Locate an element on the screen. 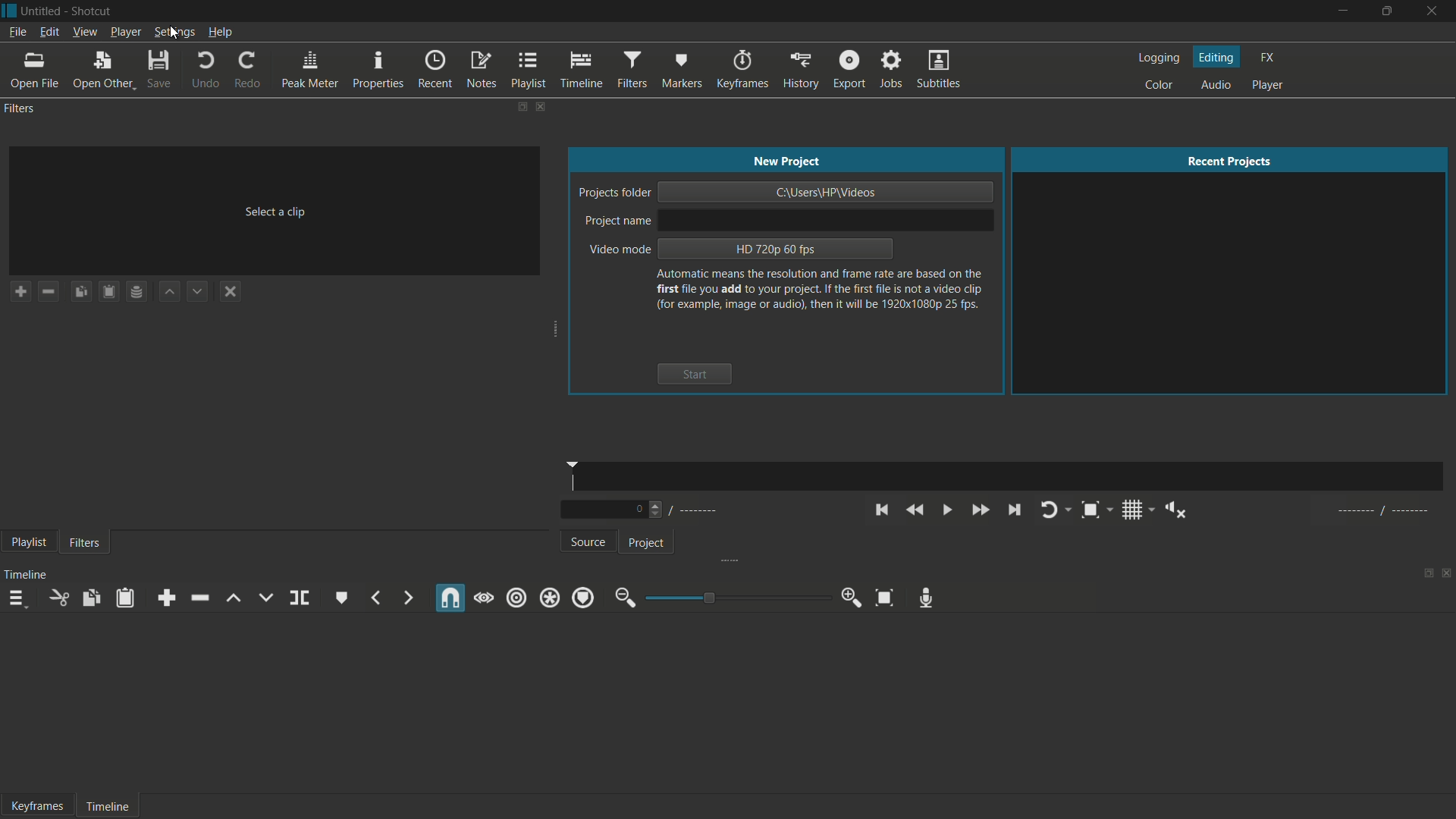 The width and height of the screenshot is (1456, 819). ripple delete is located at coordinates (197, 598).